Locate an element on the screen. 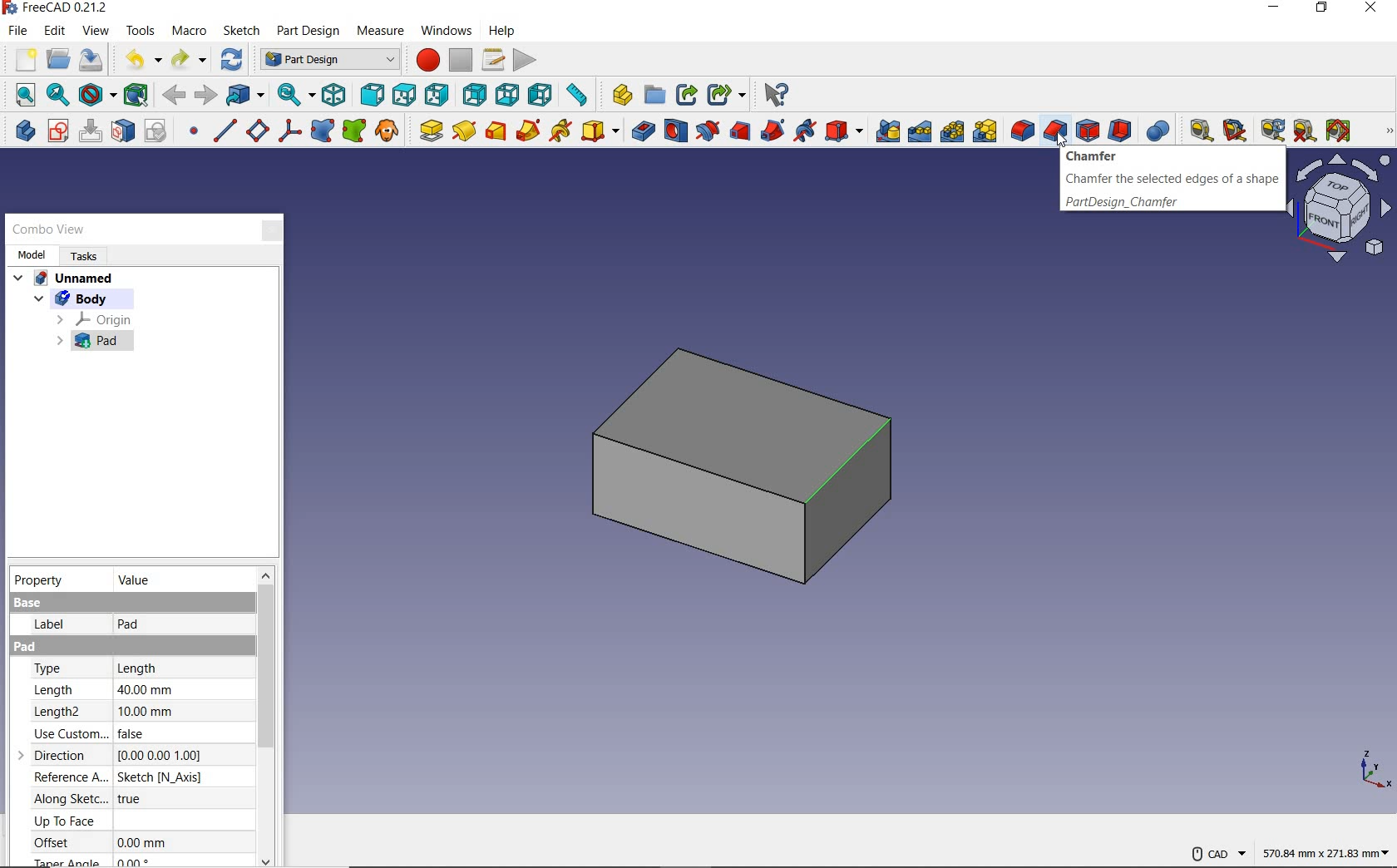  Offset is located at coordinates (60, 842).